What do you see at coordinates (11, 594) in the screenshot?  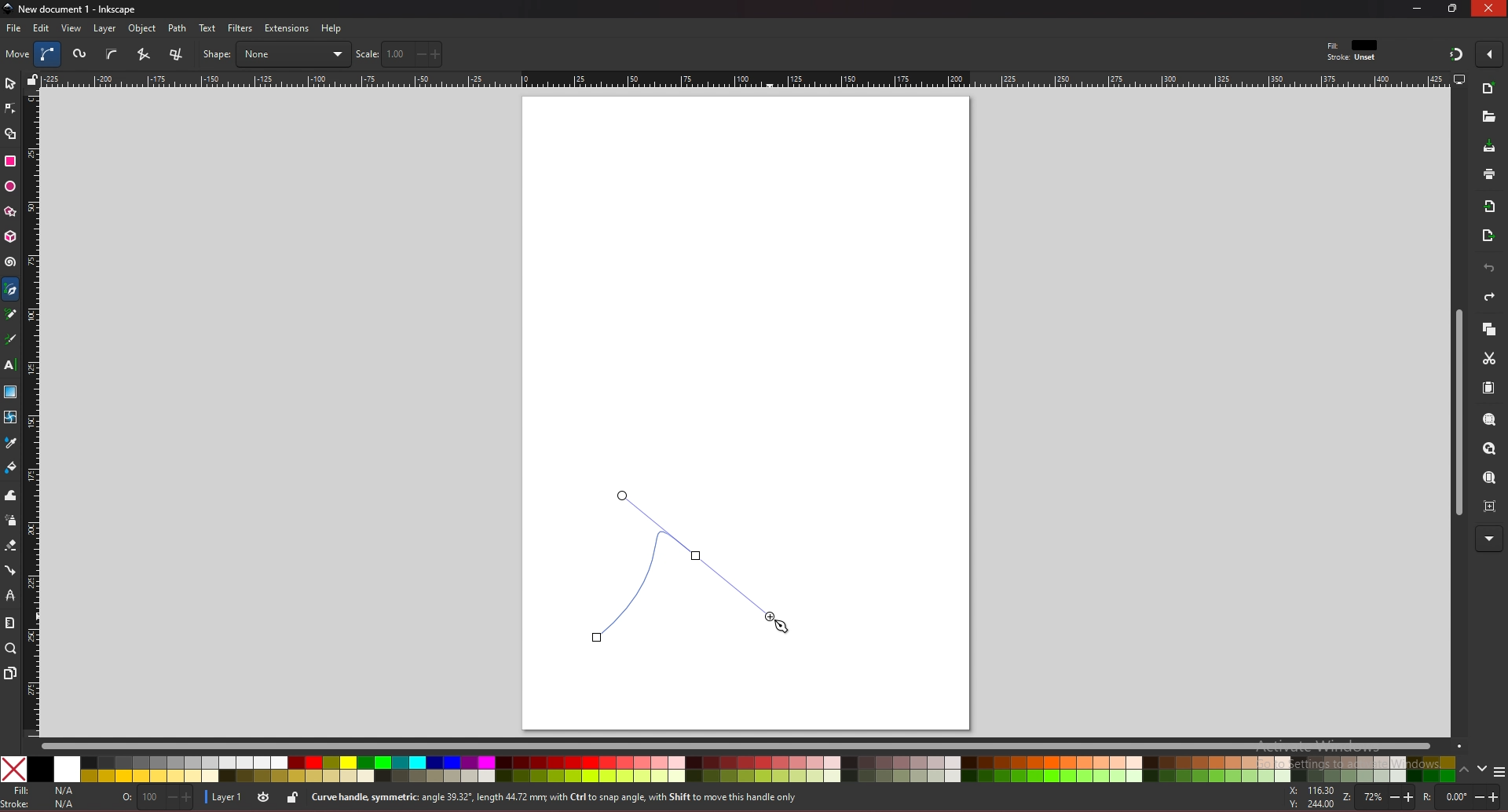 I see `lpe` at bounding box center [11, 594].